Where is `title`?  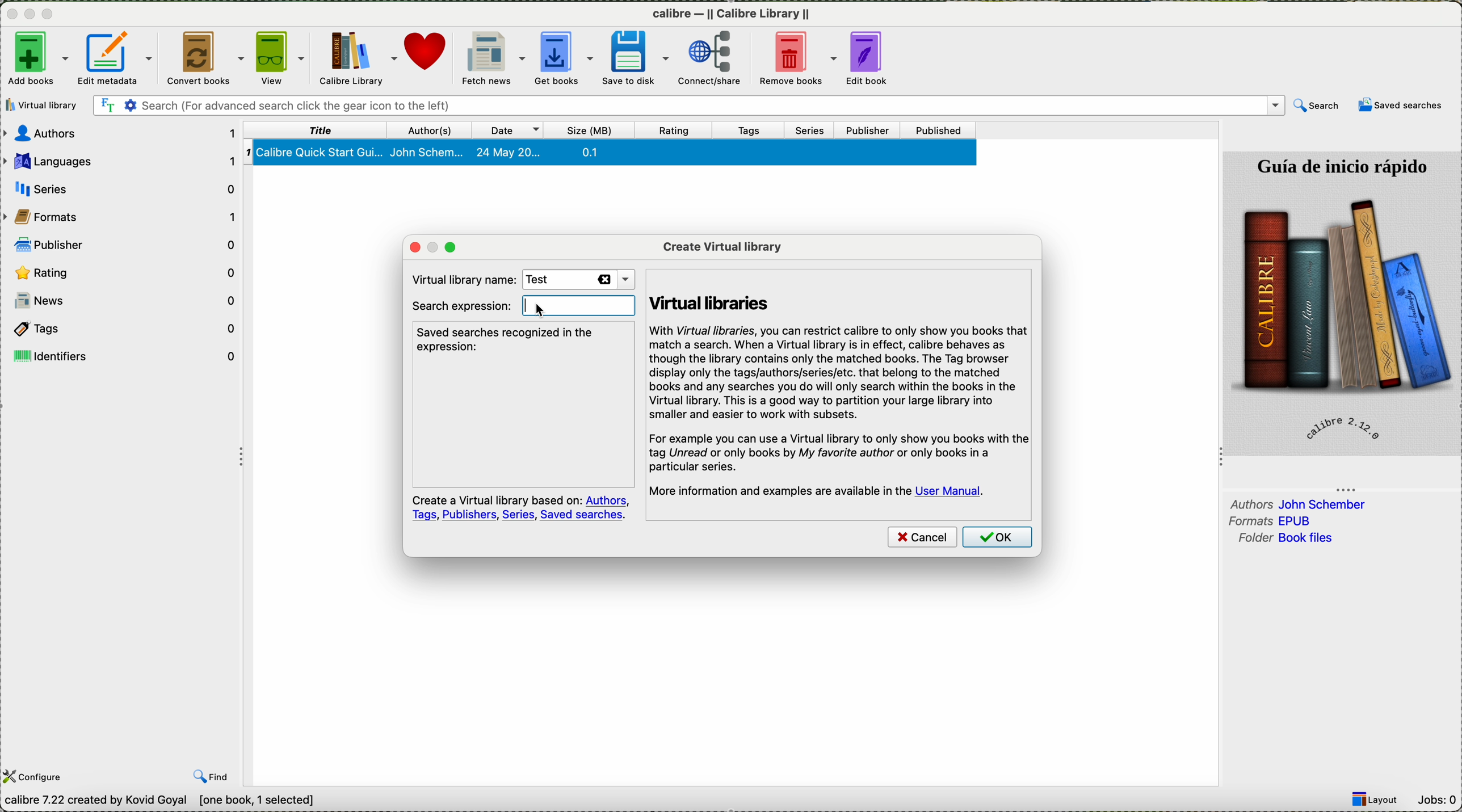
title is located at coordinates (320, 131).